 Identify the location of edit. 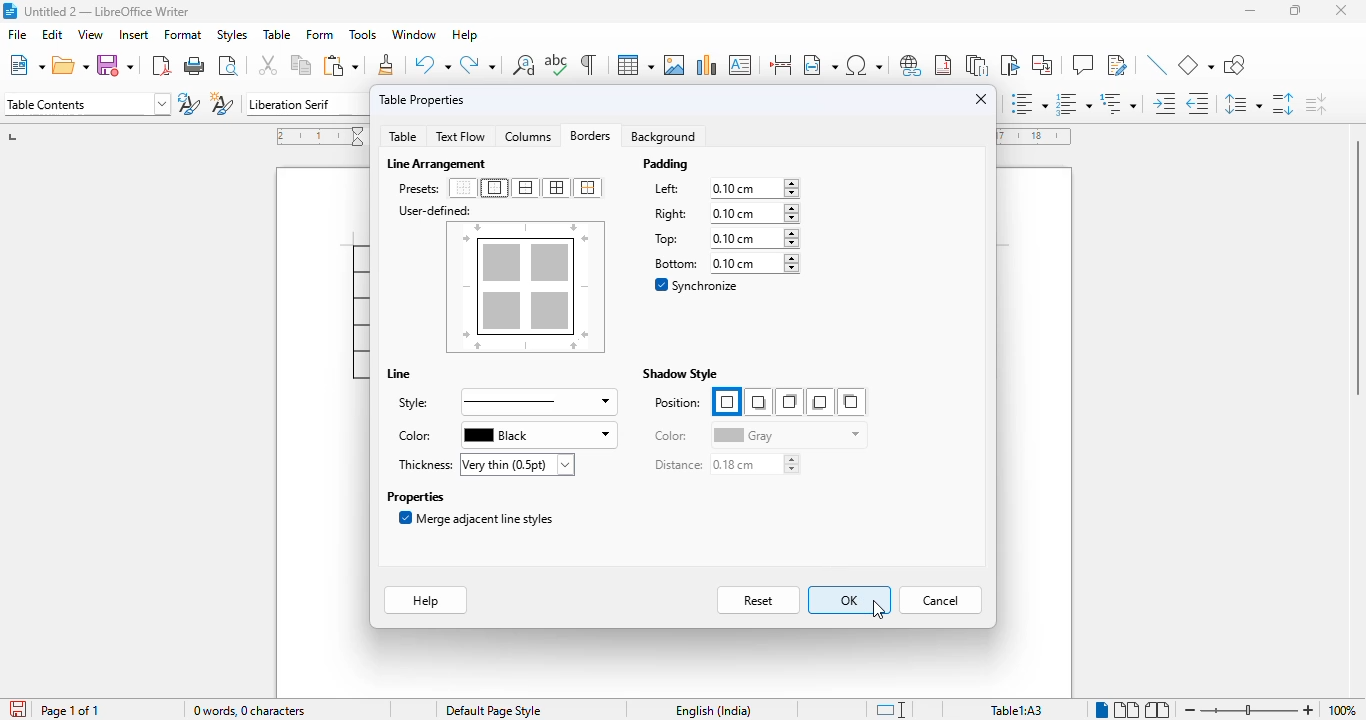
(53, 34).